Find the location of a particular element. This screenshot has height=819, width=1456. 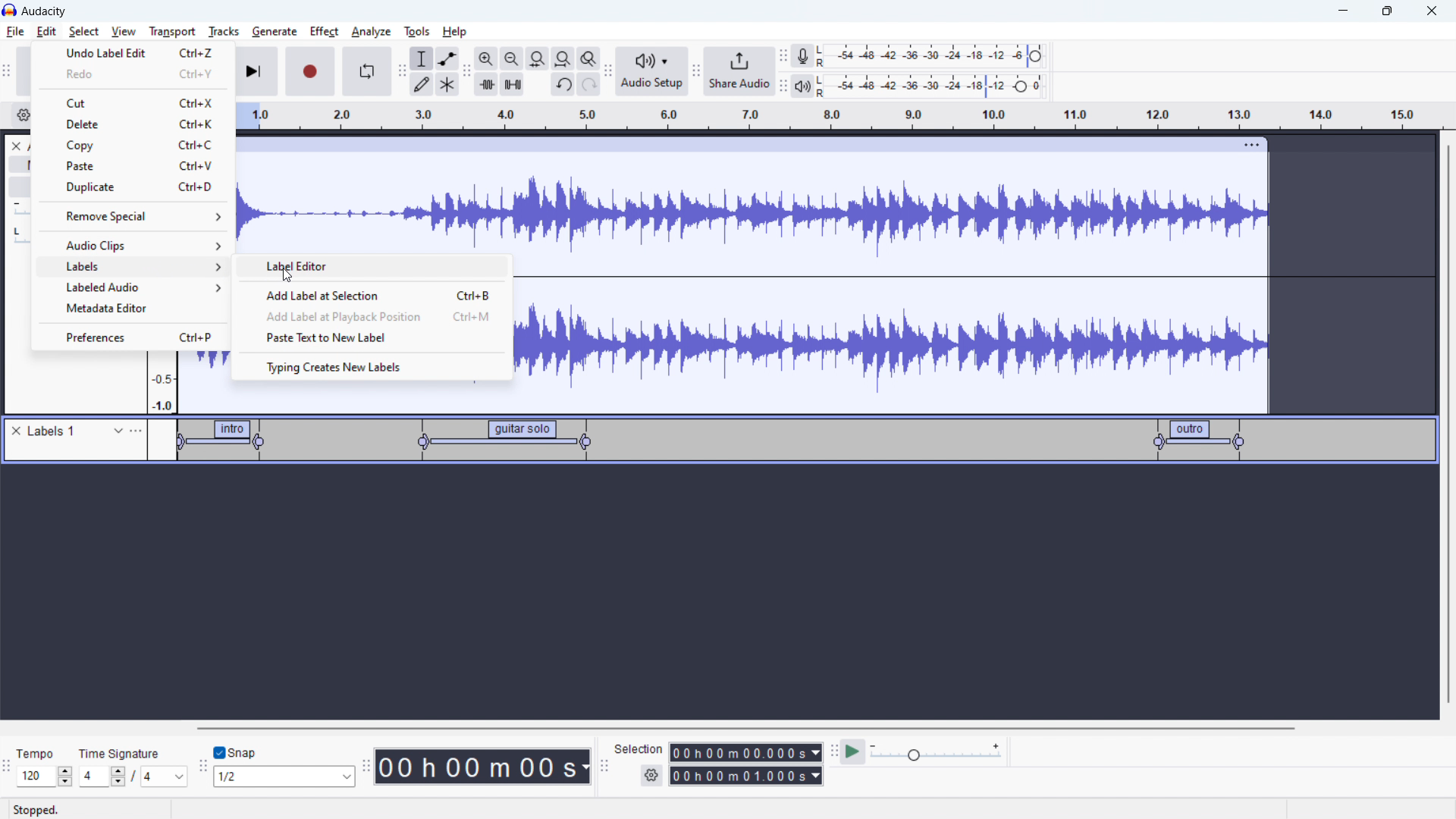

Copy Ctrl+C is located at coordinates (143, 146).